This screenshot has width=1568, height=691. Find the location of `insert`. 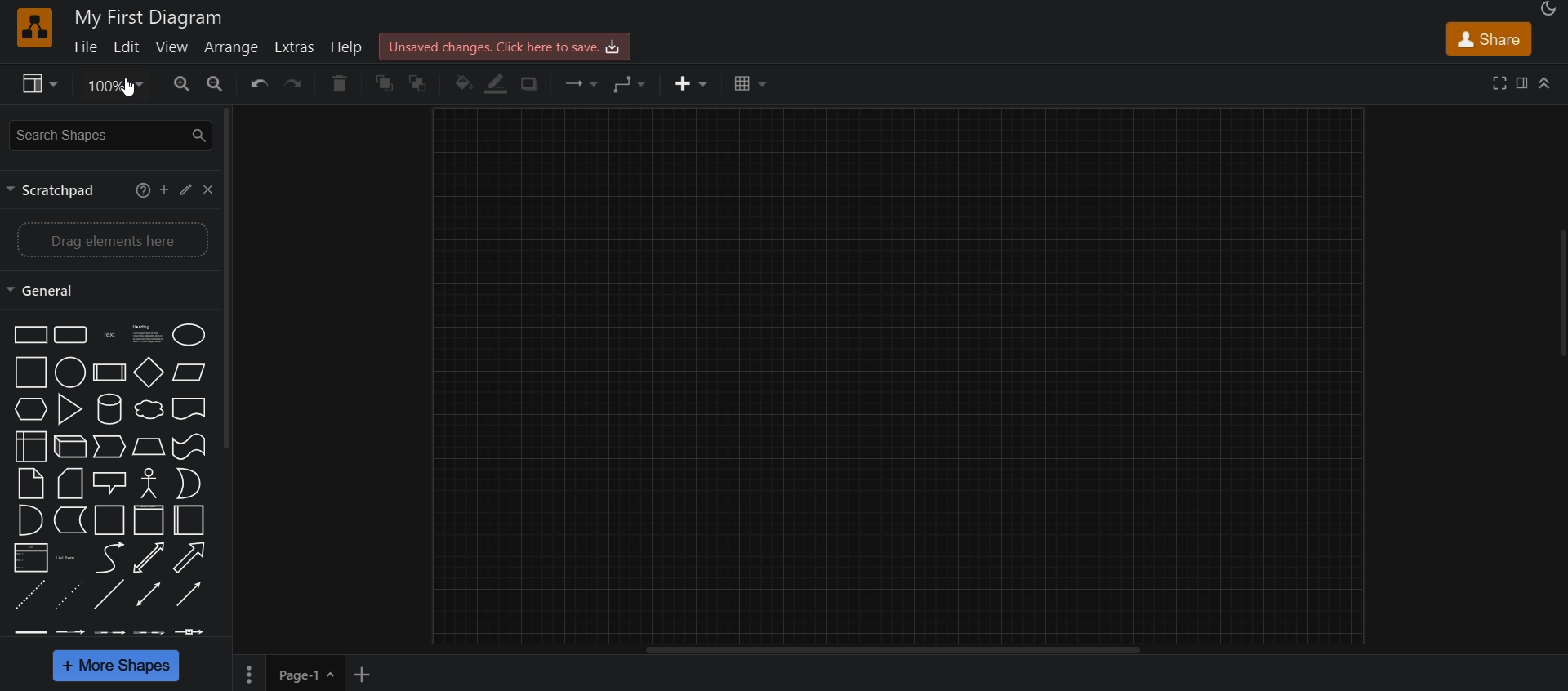

insert is located at coordinates (685, 86).